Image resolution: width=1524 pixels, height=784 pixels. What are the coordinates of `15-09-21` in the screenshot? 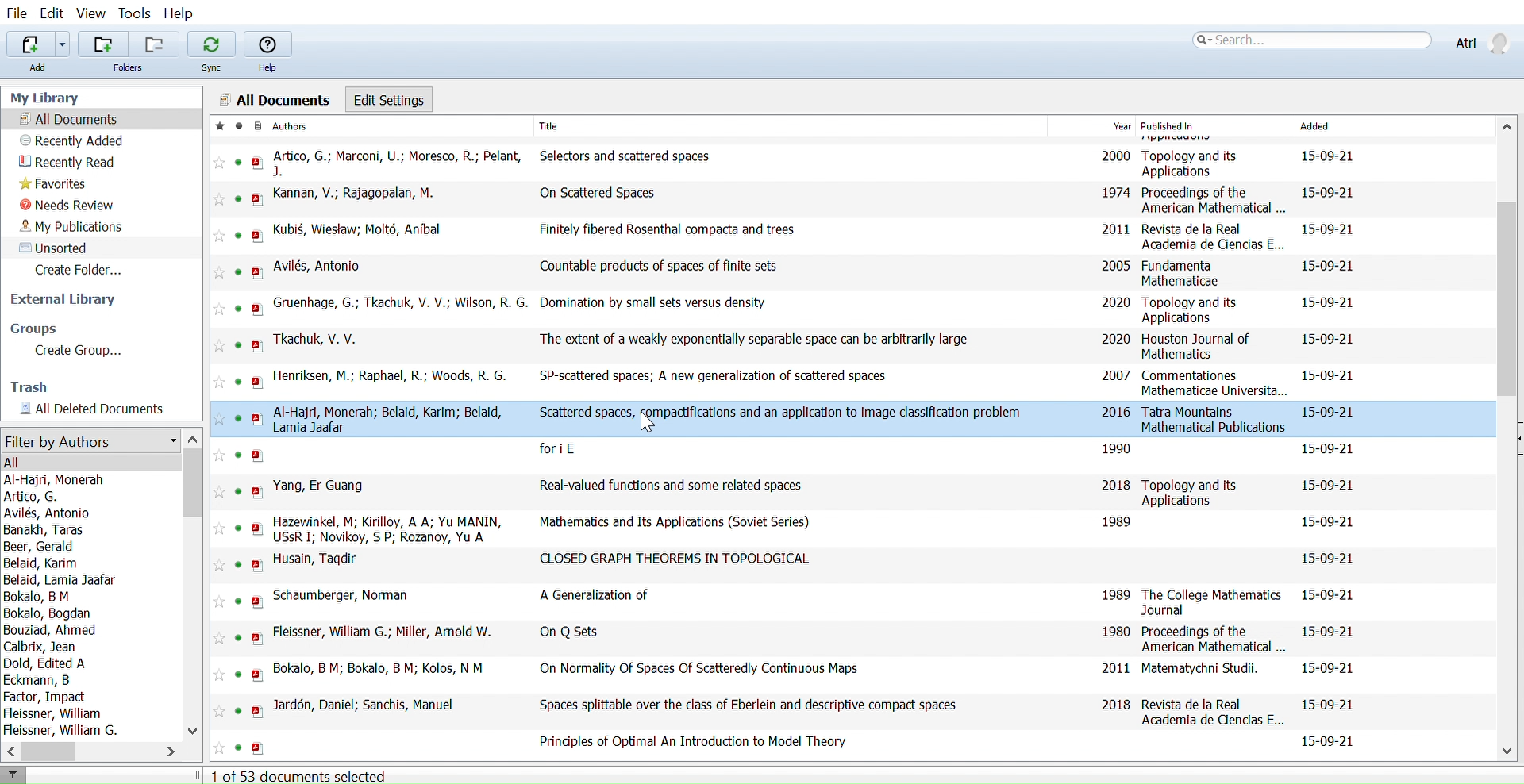 It's located at (1332, 194).